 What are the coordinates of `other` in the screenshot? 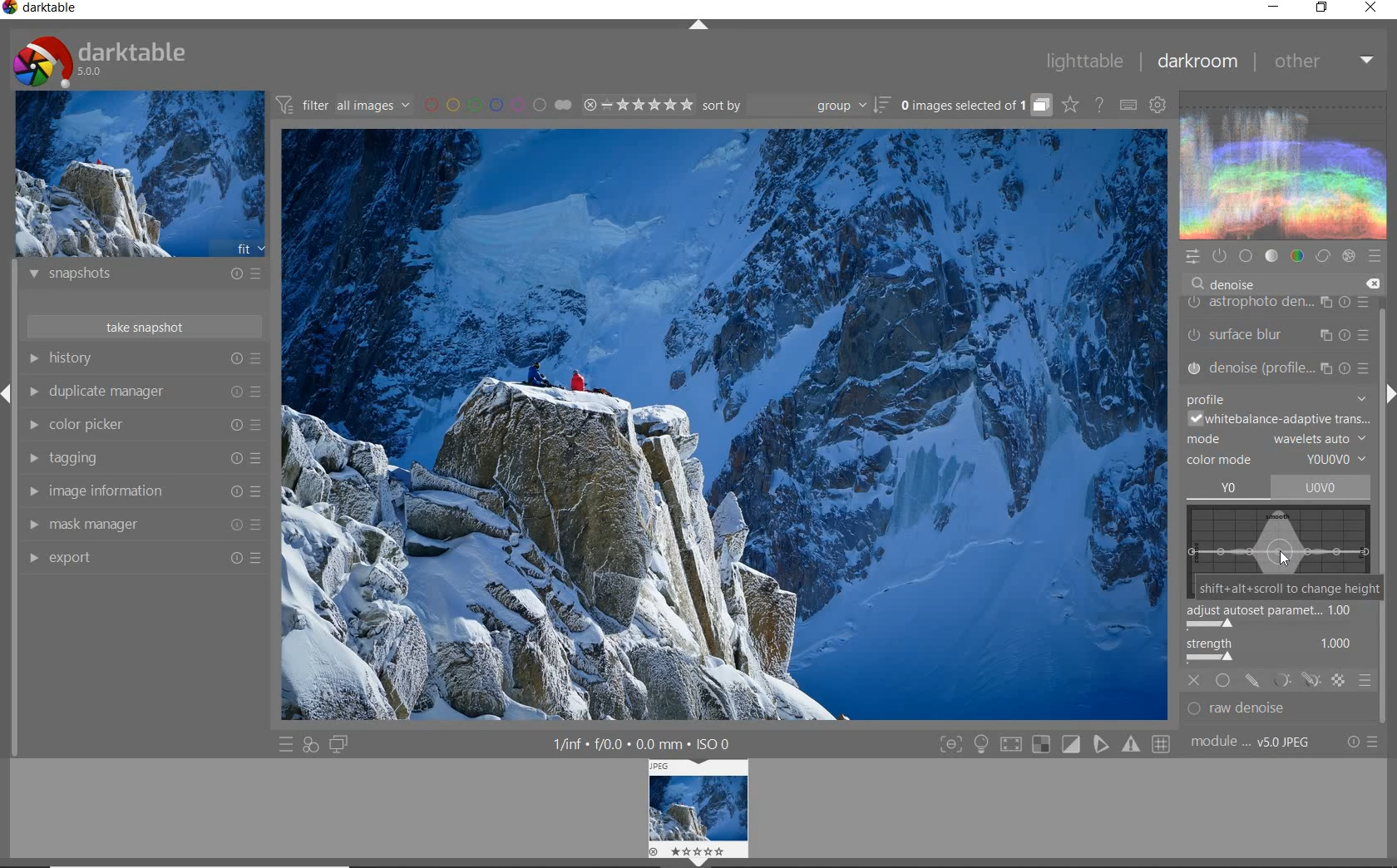 It's located at (1322, 62).